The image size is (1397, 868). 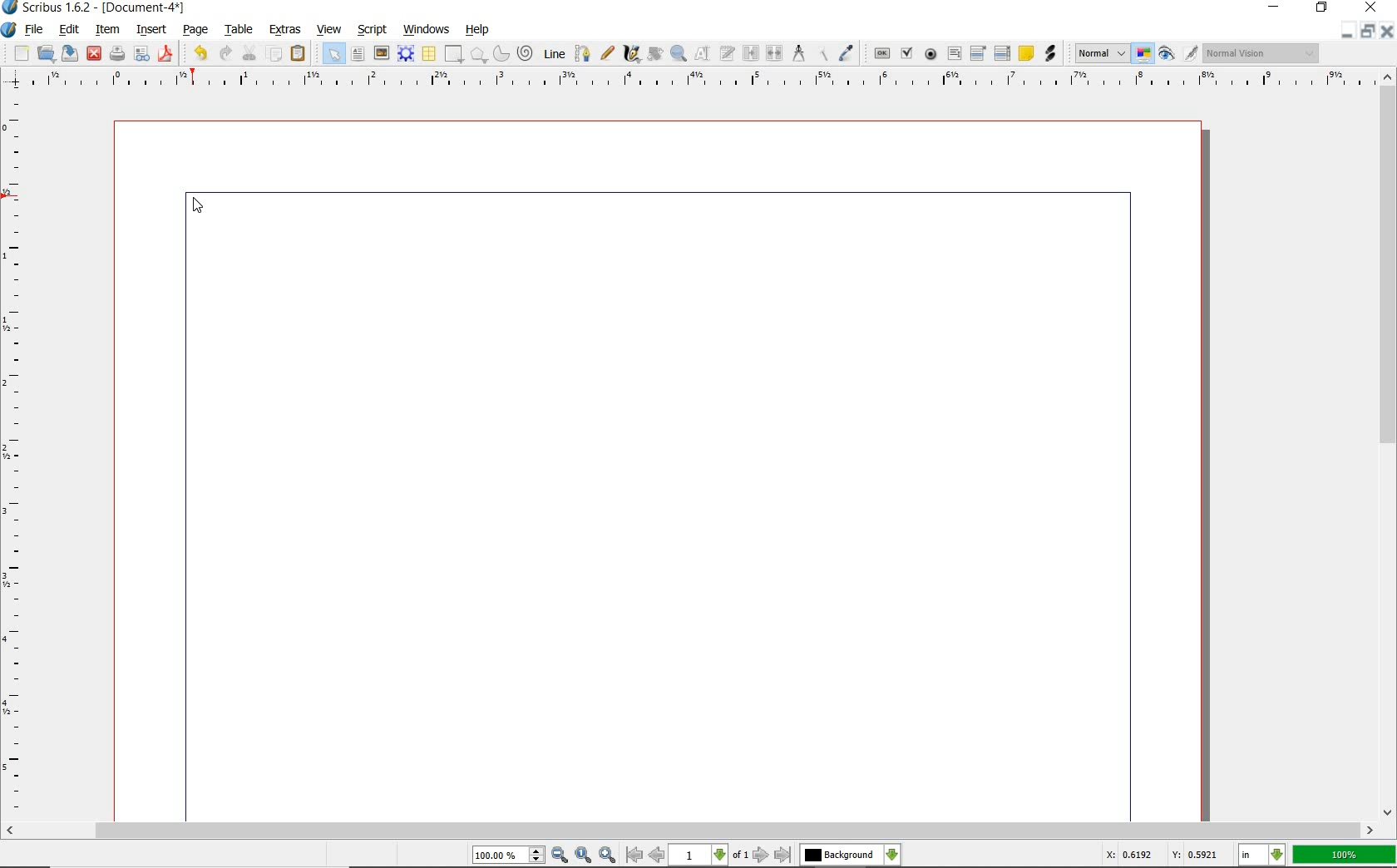 What do you see at coordinates (631, 53) in the screenshot?
I see `calligraphic line` at bounding box center [631, 53].